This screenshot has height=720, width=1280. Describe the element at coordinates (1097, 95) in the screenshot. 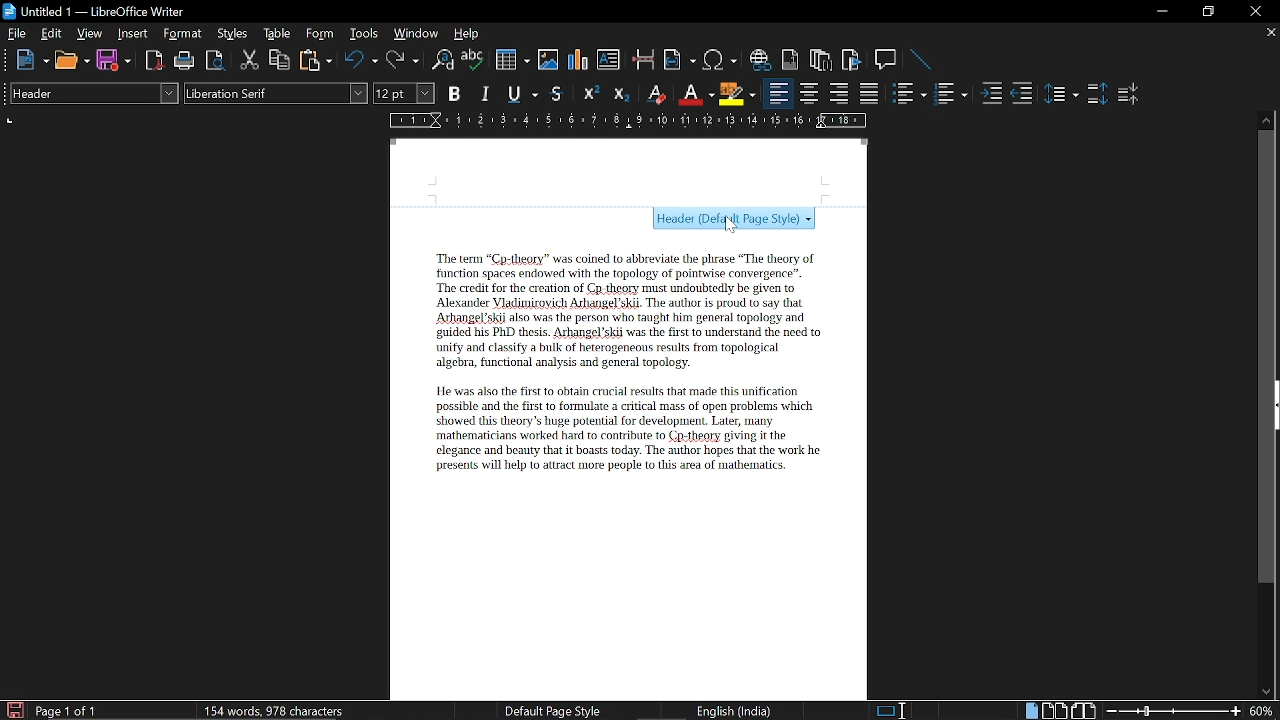

I see `Increase paragraph spacing` at that location.